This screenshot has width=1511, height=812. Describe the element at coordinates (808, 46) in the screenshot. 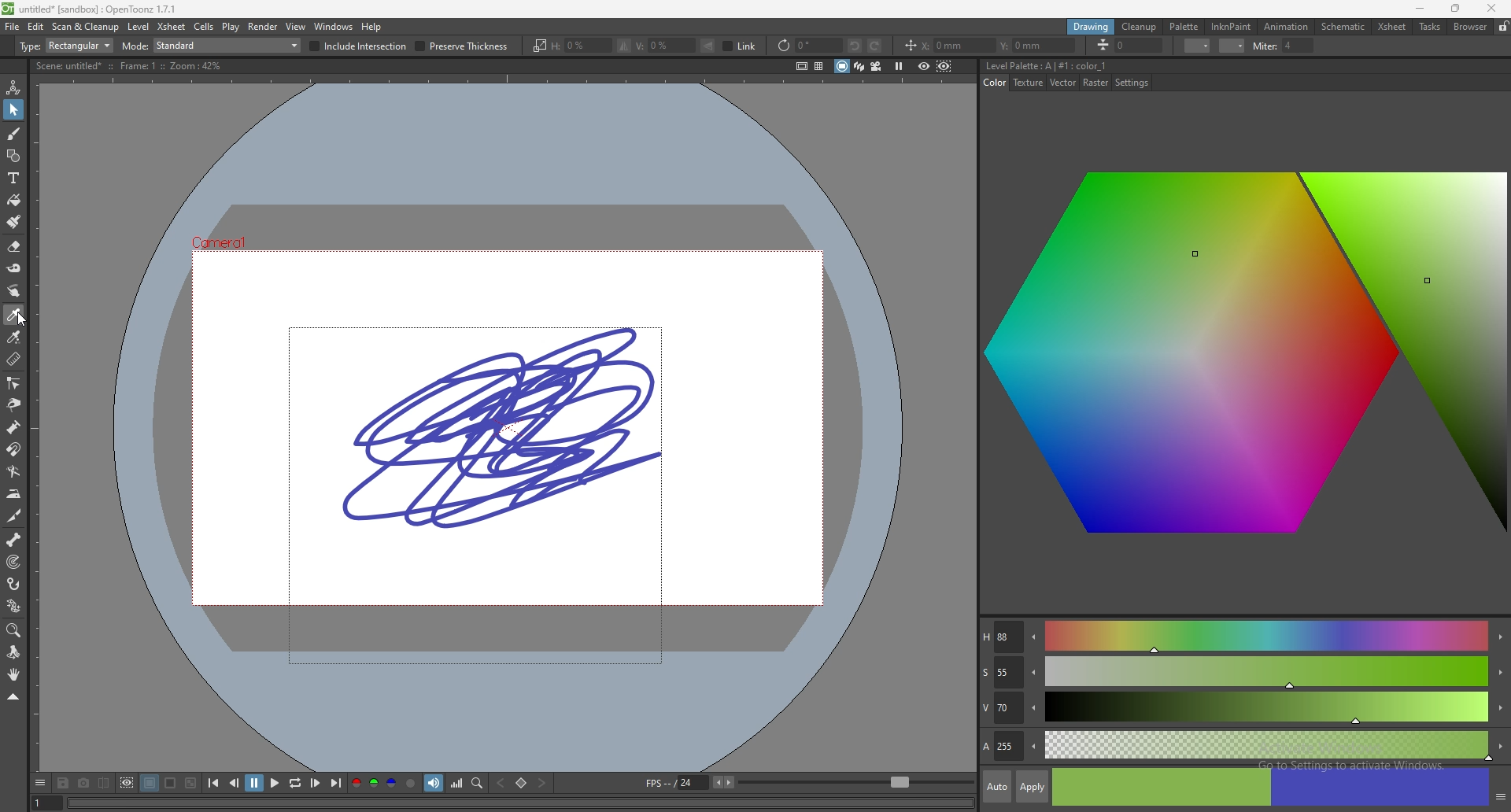

I see `rotation` at that location.